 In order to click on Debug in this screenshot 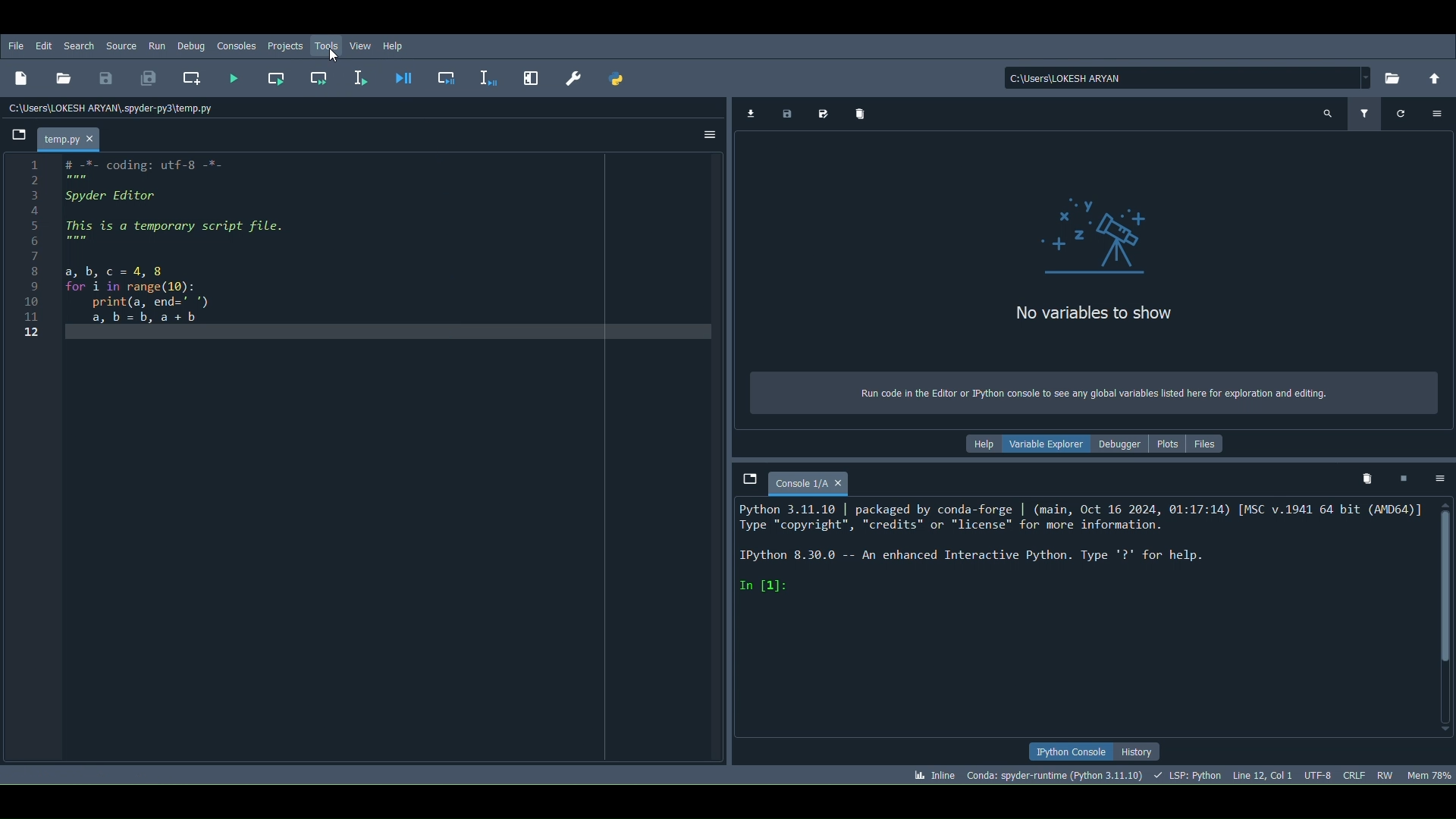, I will do `click(192, 47)`.